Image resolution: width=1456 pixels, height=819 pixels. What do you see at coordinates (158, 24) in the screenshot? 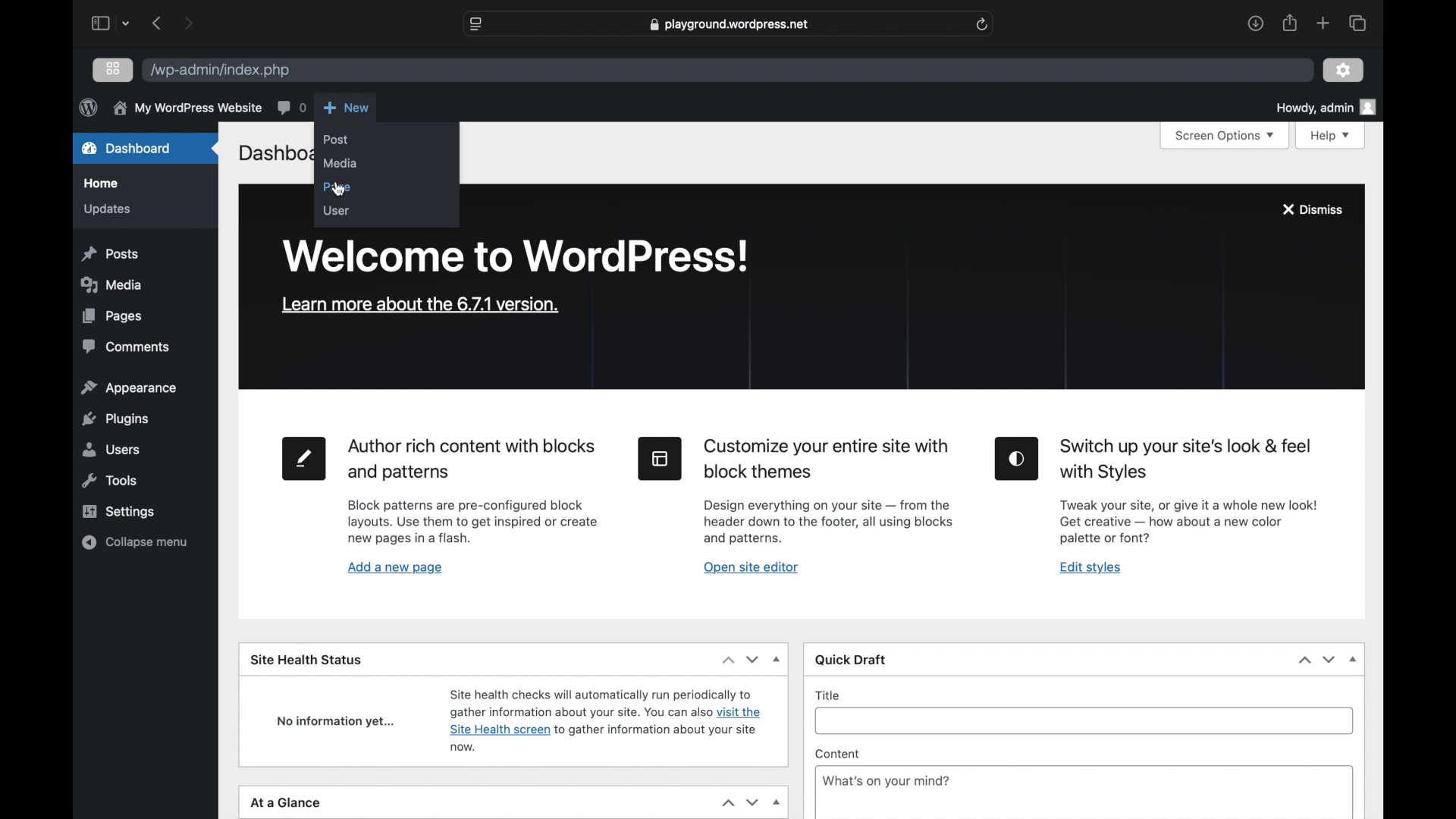
I see `previous page` at bounding box center [158, 24].